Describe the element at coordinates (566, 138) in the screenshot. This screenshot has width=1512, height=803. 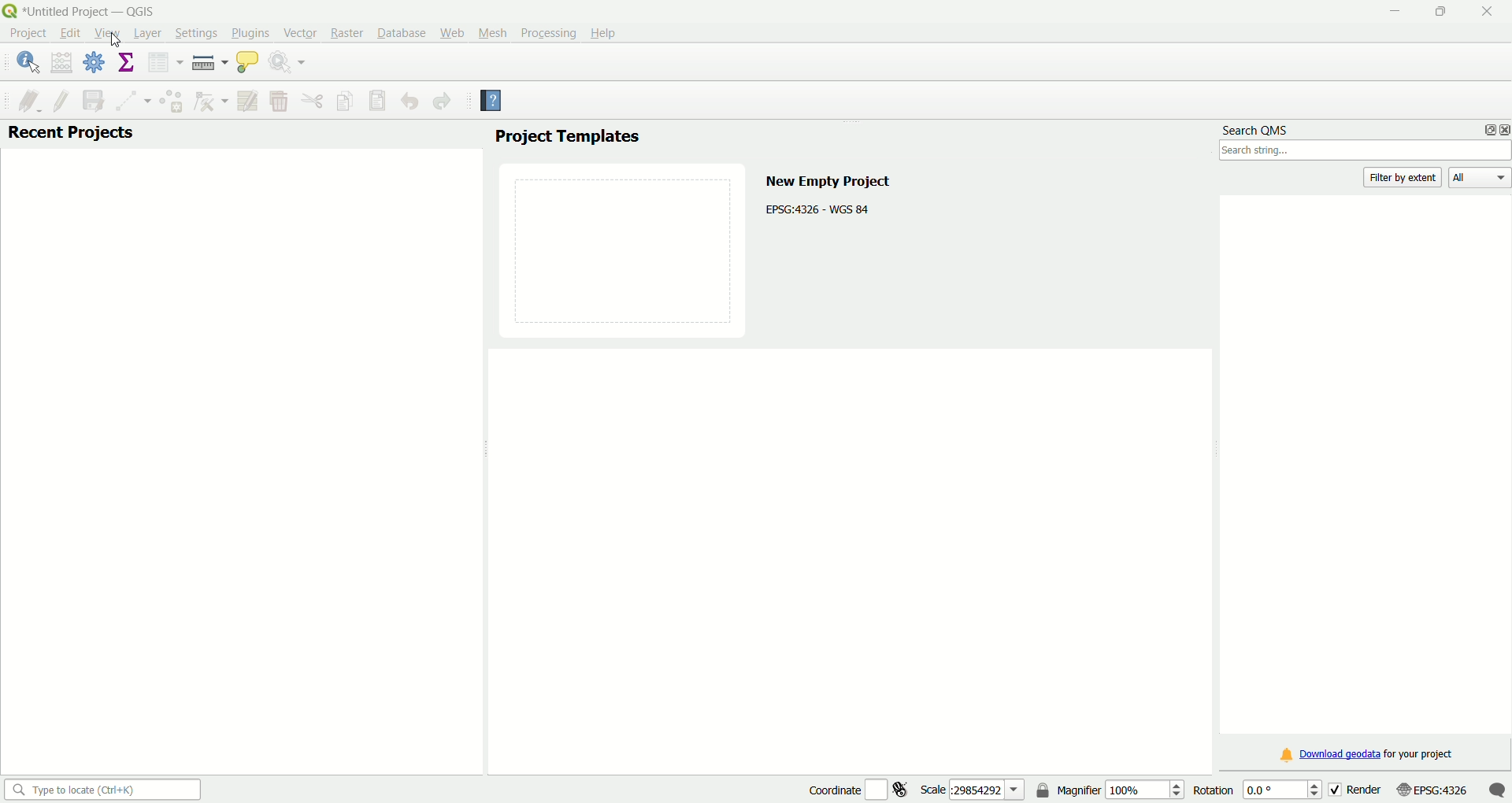
I see `project templates` at that location.